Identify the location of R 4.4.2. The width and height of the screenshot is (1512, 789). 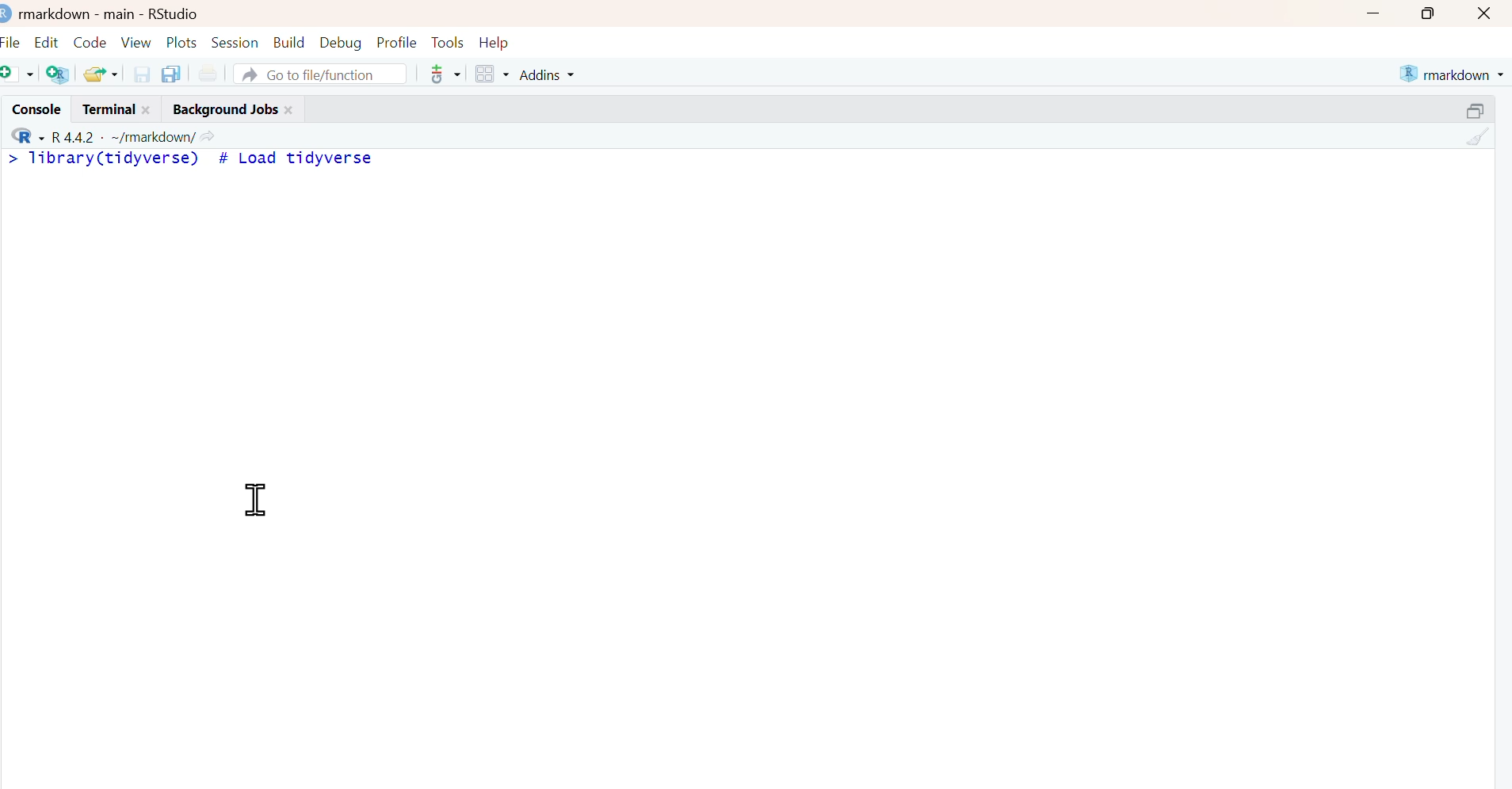
(74, 135).